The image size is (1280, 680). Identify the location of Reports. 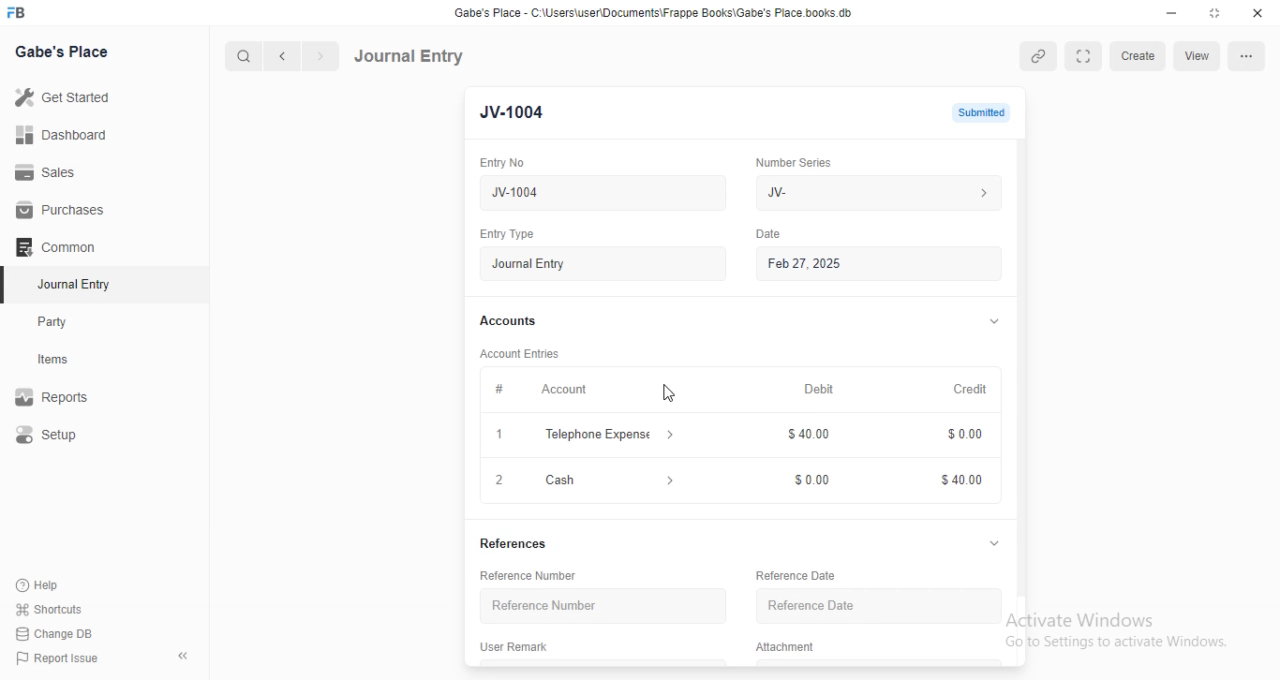
(53, 394).